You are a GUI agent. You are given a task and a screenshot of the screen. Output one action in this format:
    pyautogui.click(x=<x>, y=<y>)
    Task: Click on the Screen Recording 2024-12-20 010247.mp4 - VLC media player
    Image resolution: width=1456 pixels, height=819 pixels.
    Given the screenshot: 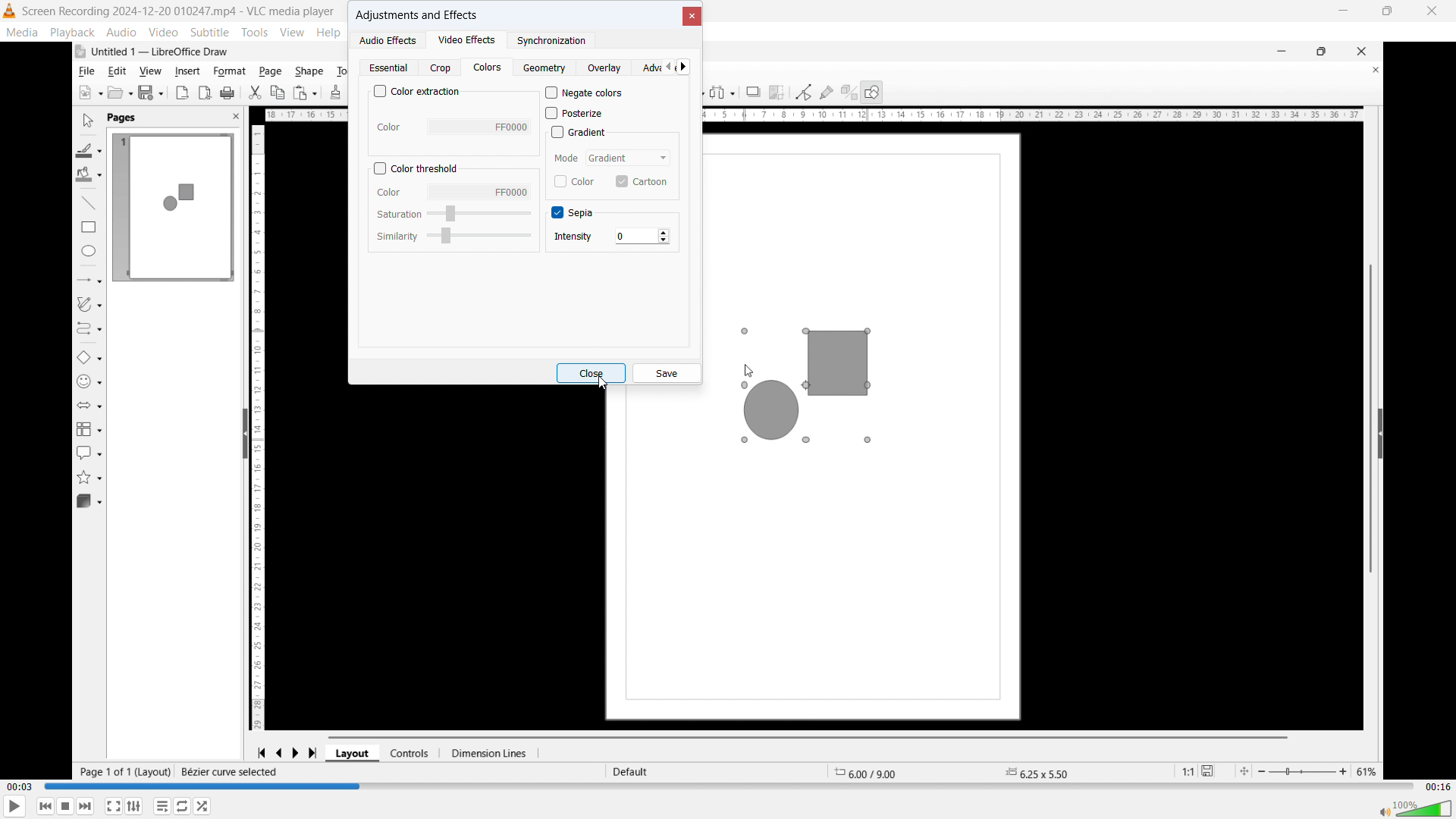 What is the action you would take?
    pyautogui.click(x=172, y=12)
    